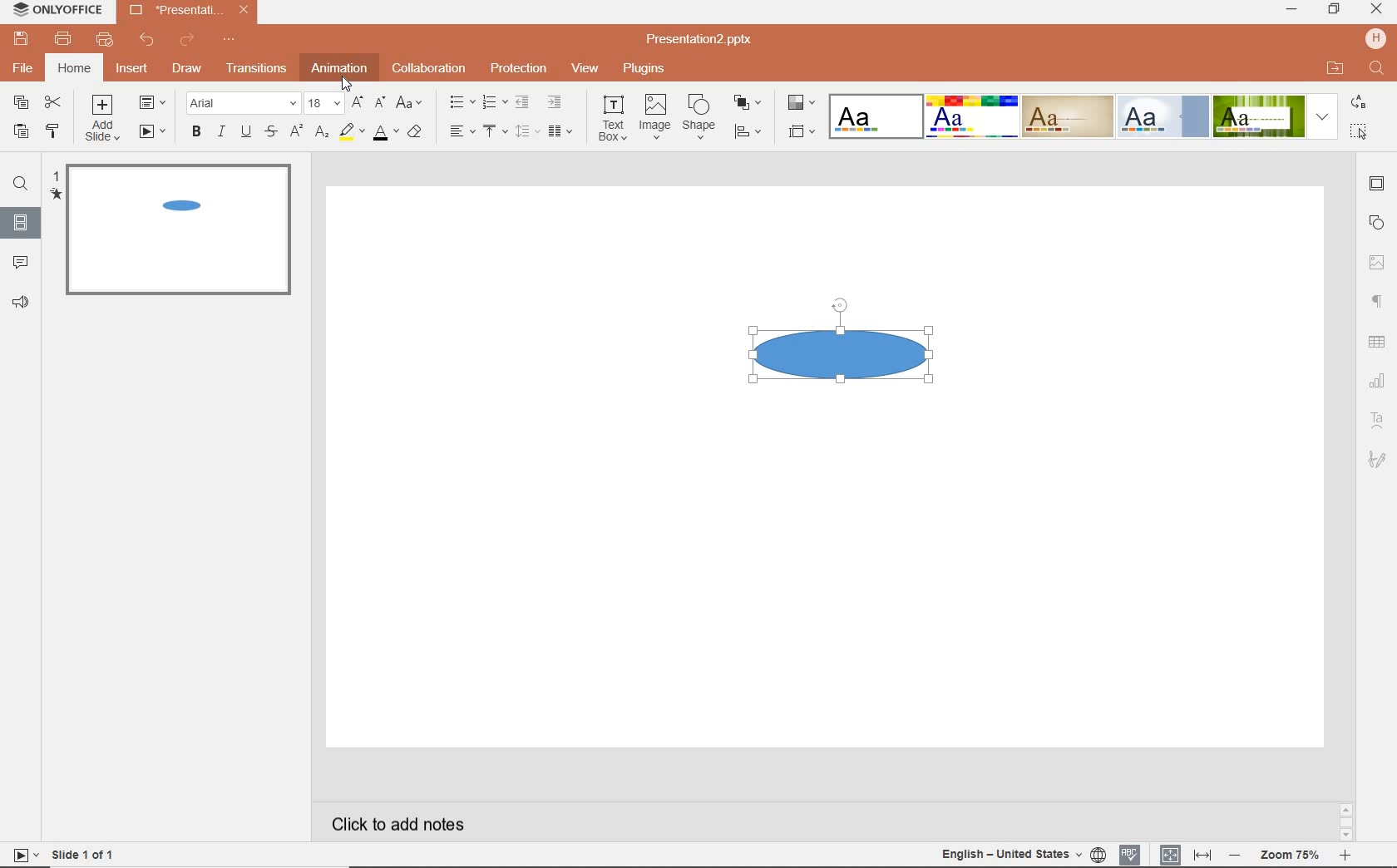  I want to click on shape with animation effect, so click(842, 351).